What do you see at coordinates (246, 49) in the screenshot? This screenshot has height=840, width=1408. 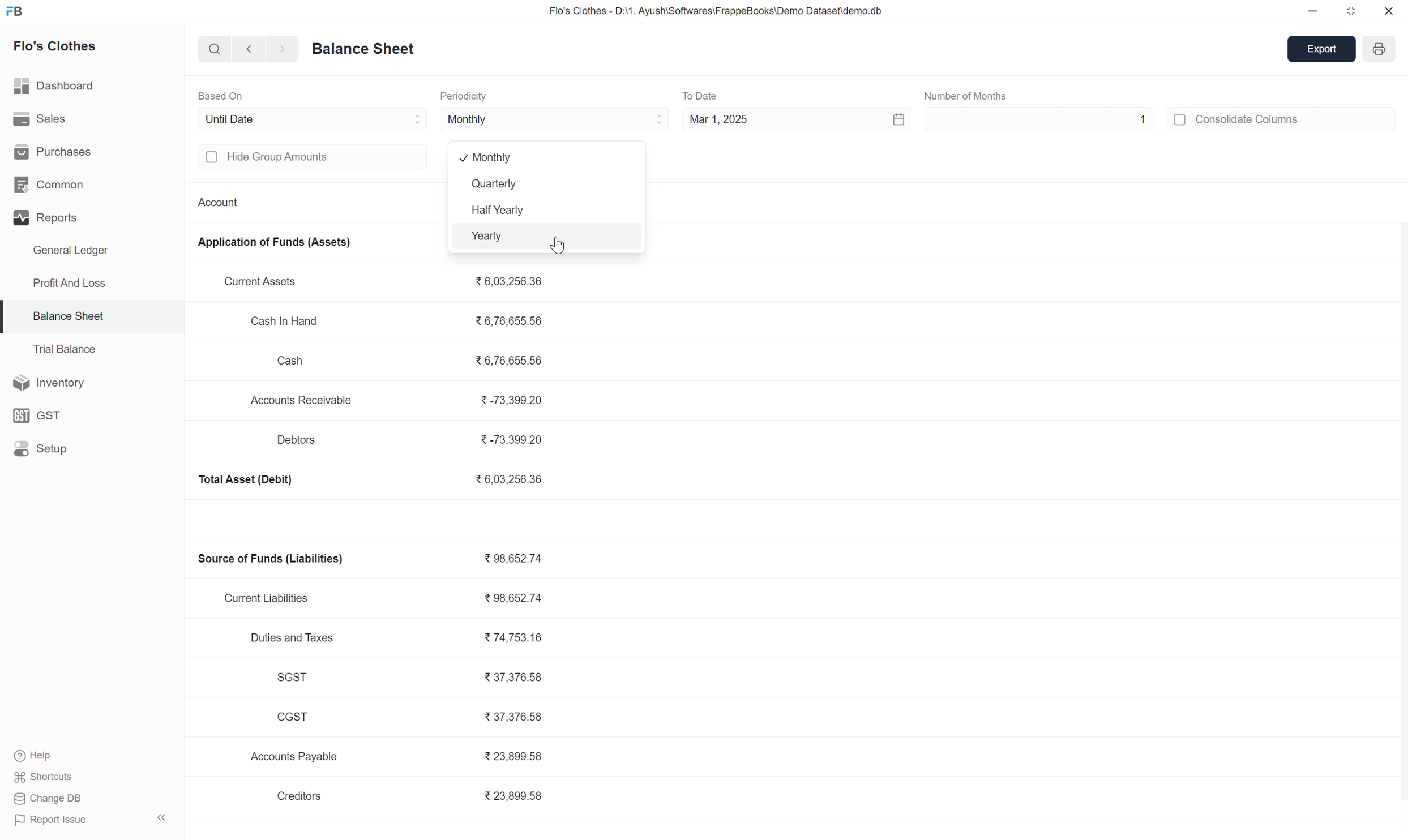 I see `backward` at bounding box center [246, 49].